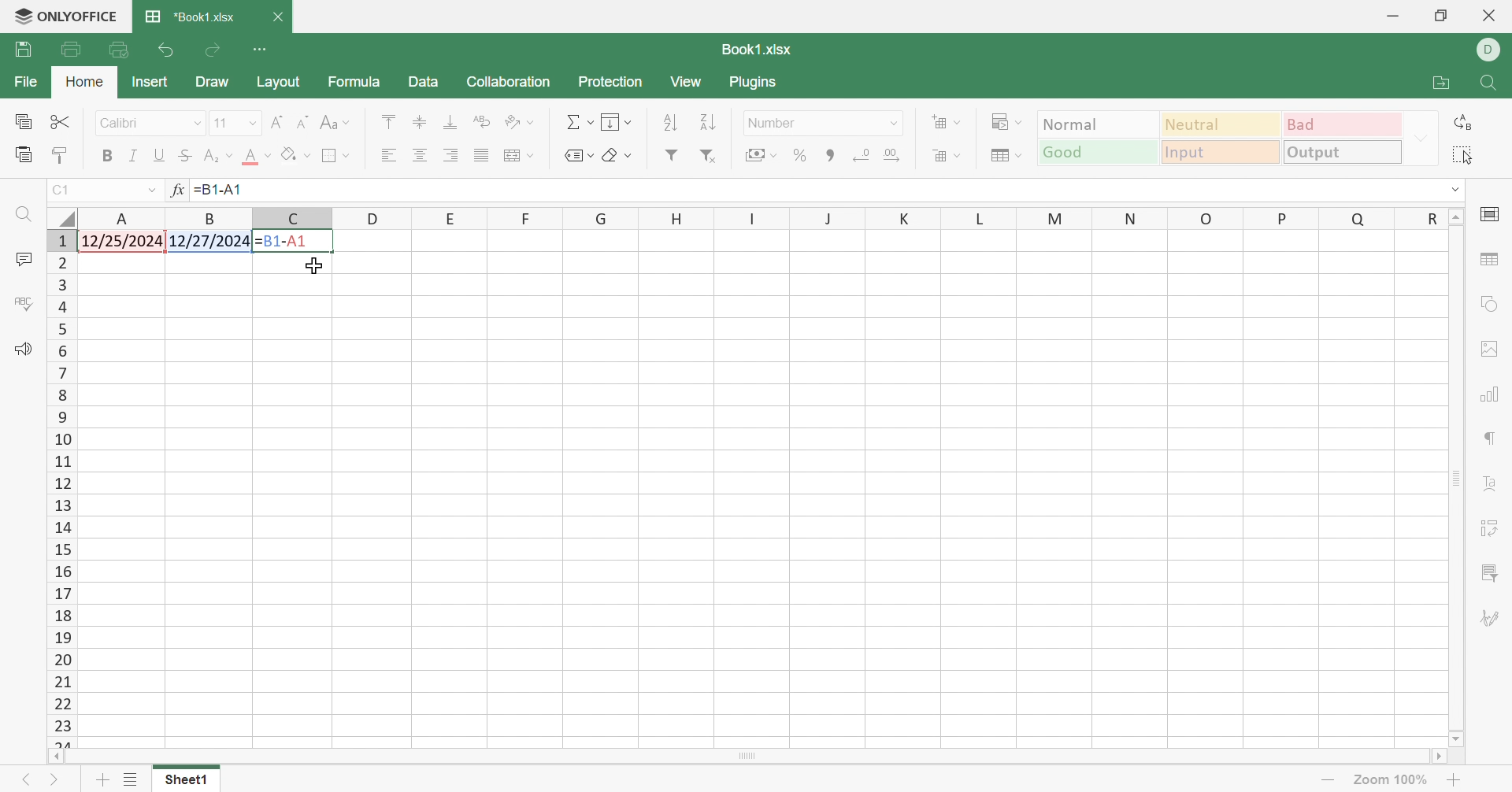  What do you see at coordinates (1490, 306) in the screenshot?
I see `Shape settings` at bounding box center [1490, 306].